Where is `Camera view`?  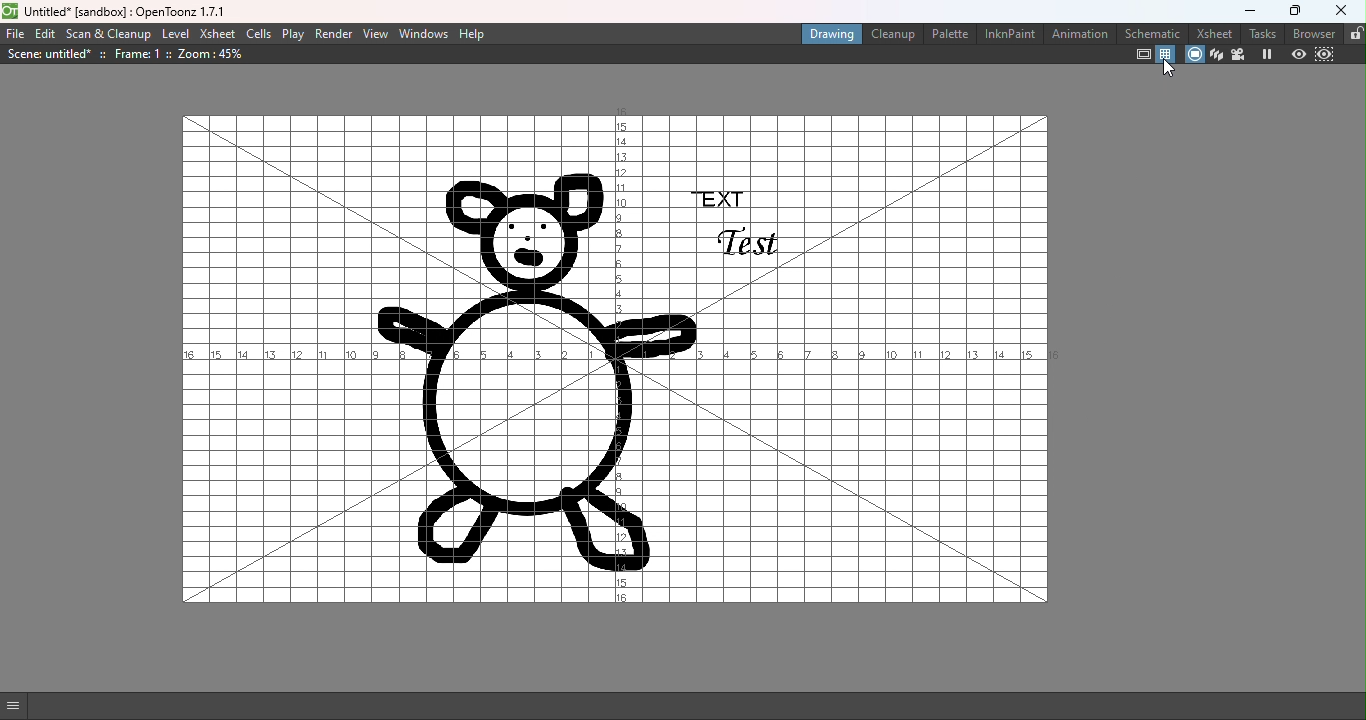 Camera view is located at coordinates (1237, 54).